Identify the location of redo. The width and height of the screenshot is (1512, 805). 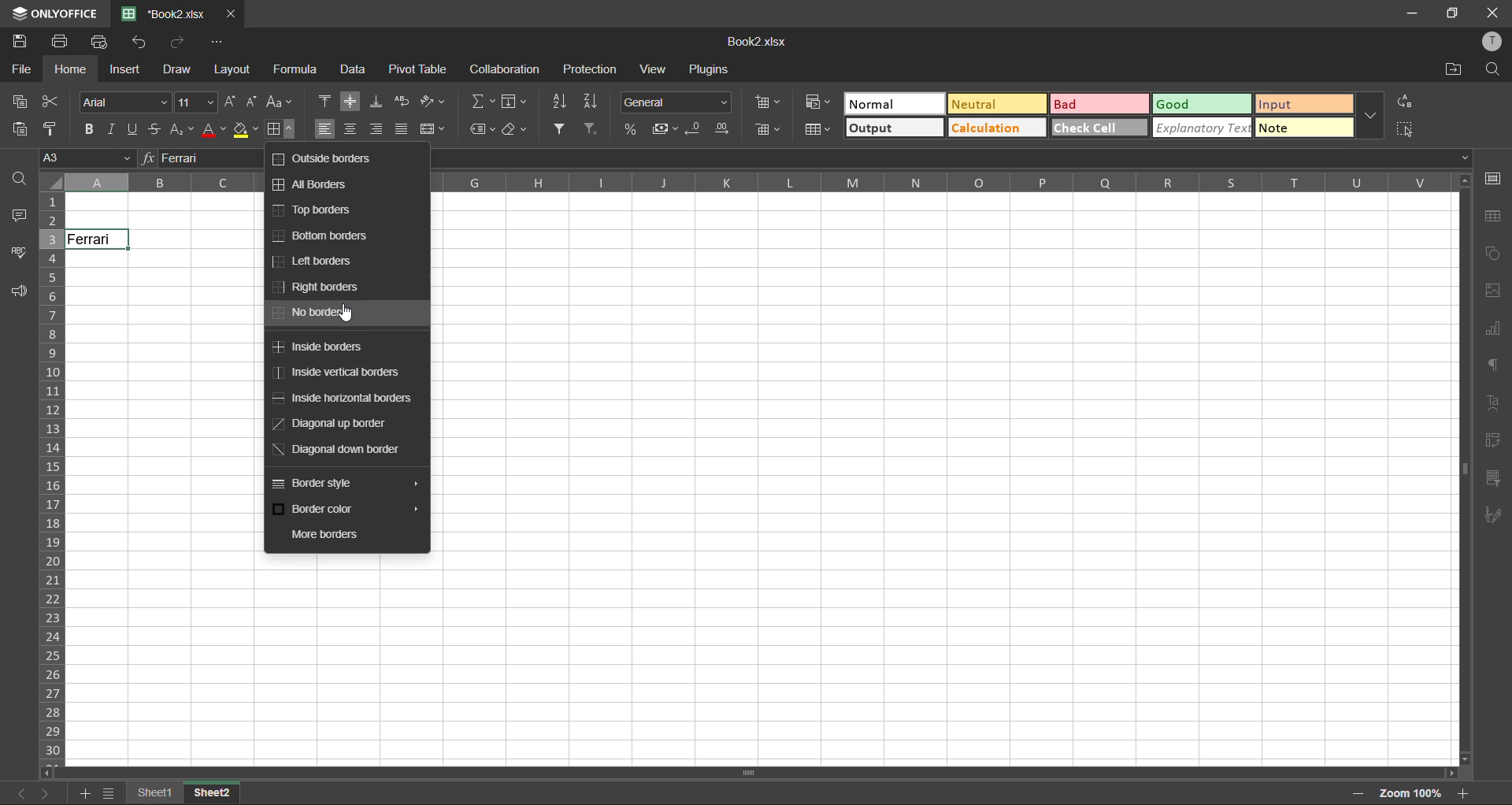
(180, 40).